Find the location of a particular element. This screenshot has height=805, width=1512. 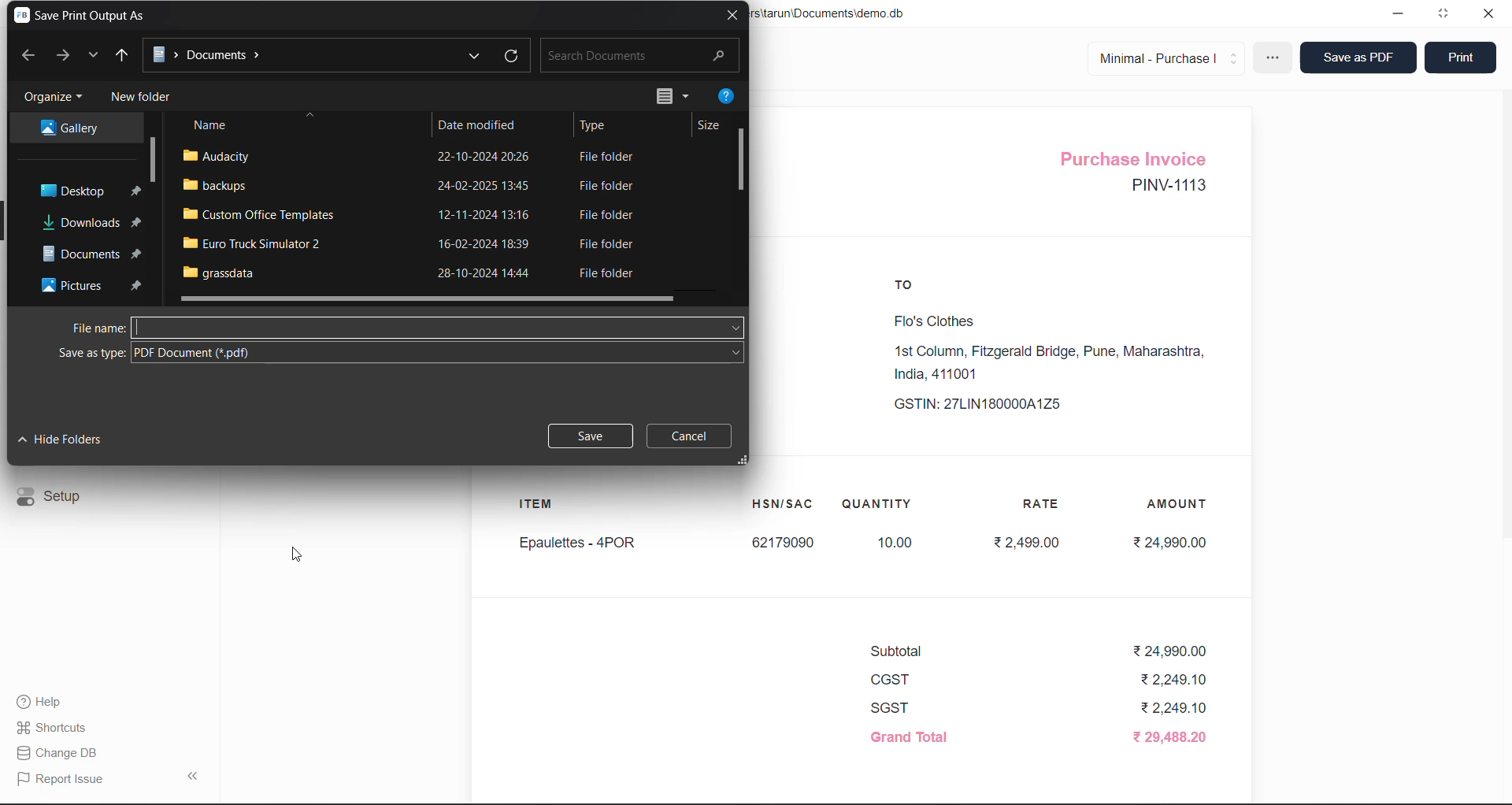

SGST ₹2,249.10 is located at coordinates (1034, 710).